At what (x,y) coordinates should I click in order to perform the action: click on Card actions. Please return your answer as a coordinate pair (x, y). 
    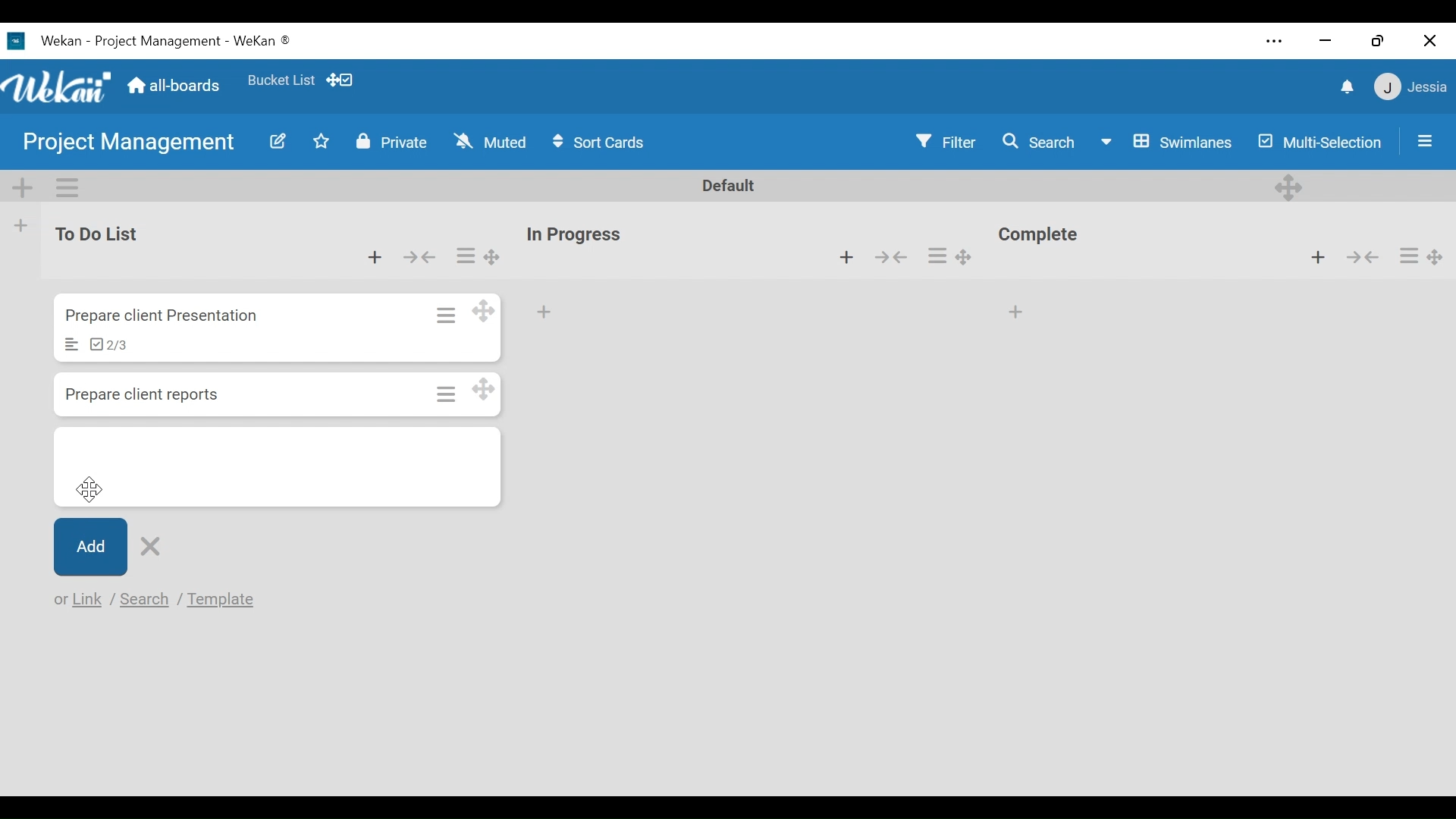
    Looking at the image, I should click on (938, 256).